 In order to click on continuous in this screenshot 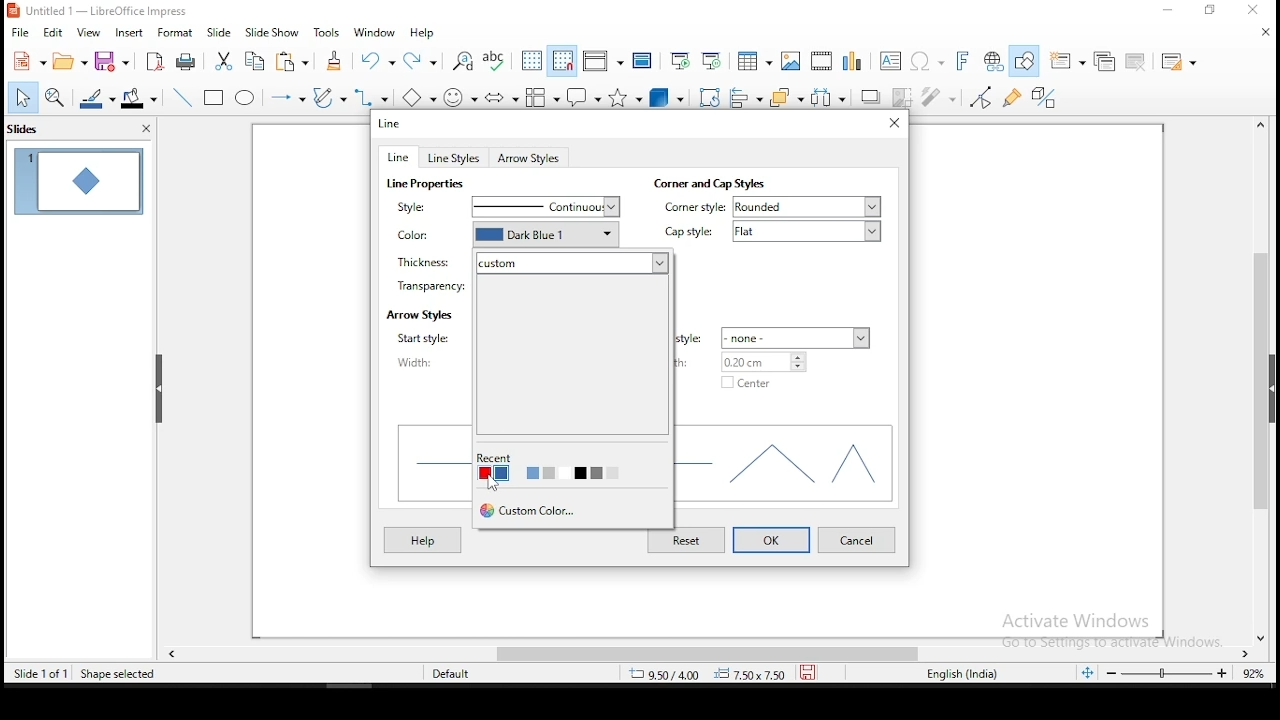, I will do `click(550, 208)`.